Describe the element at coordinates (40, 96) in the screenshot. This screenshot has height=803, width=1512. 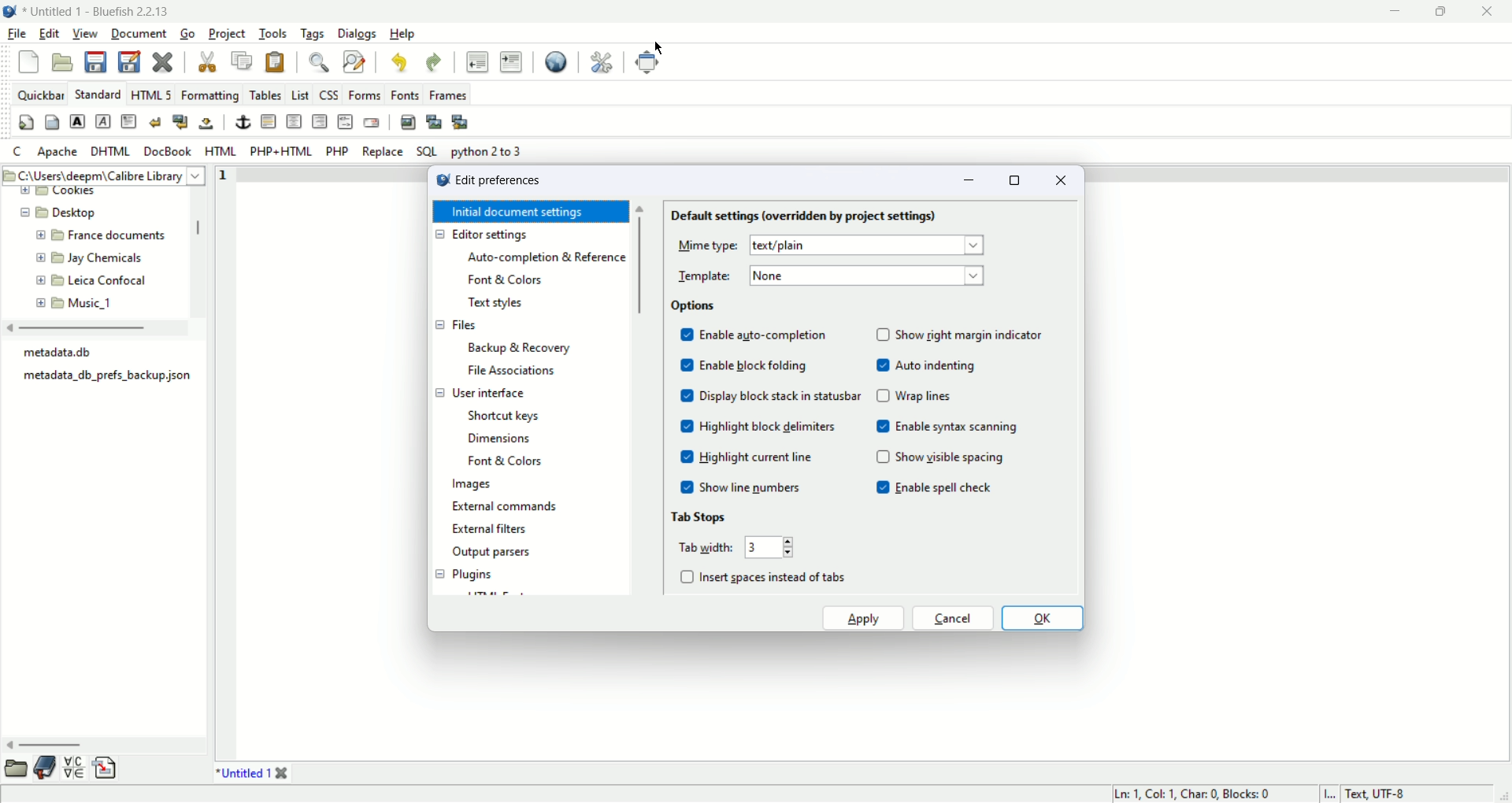
I see `quickbar` at that location.